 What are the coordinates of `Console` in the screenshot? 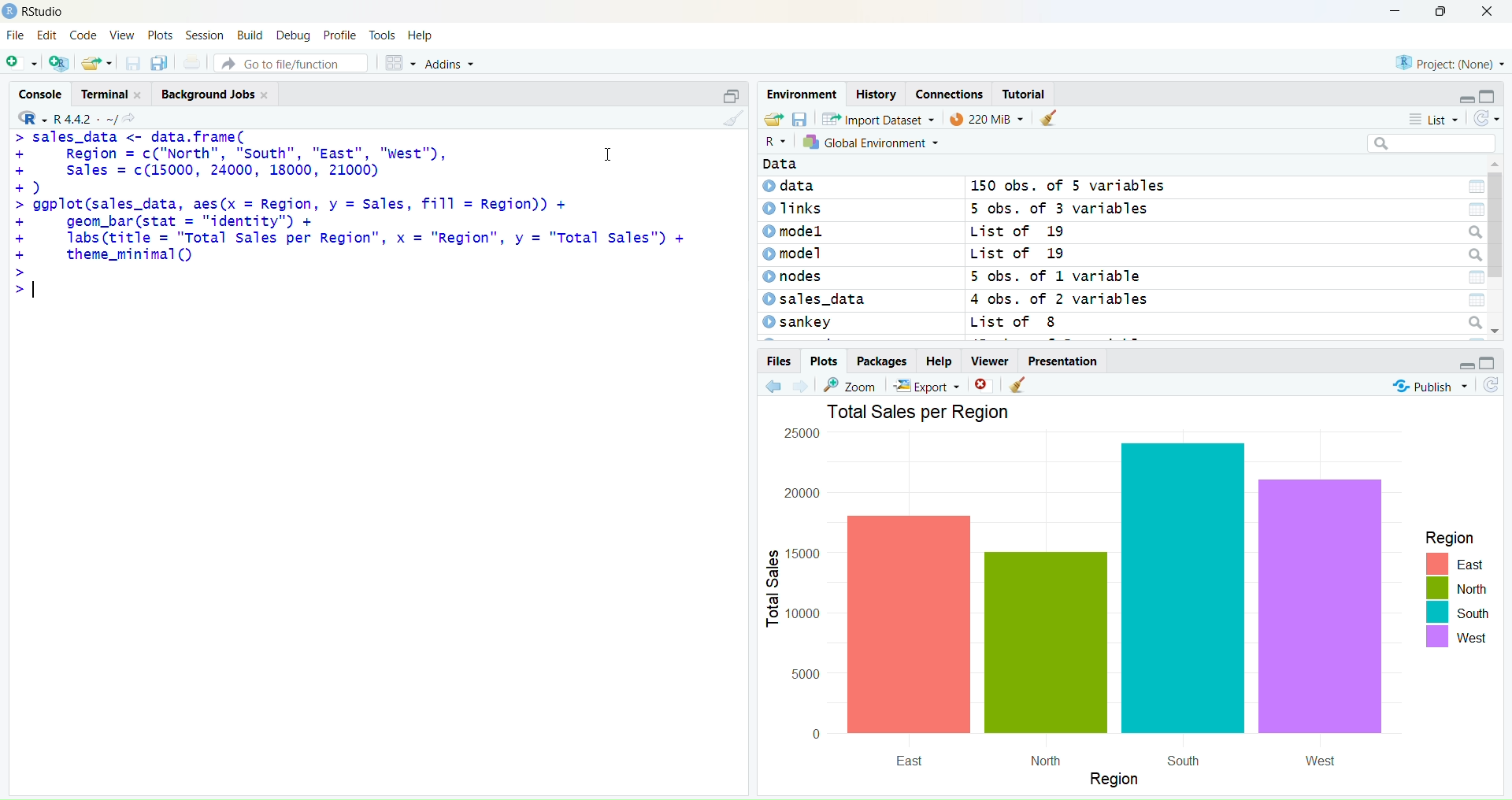 It's located at (37, 91).